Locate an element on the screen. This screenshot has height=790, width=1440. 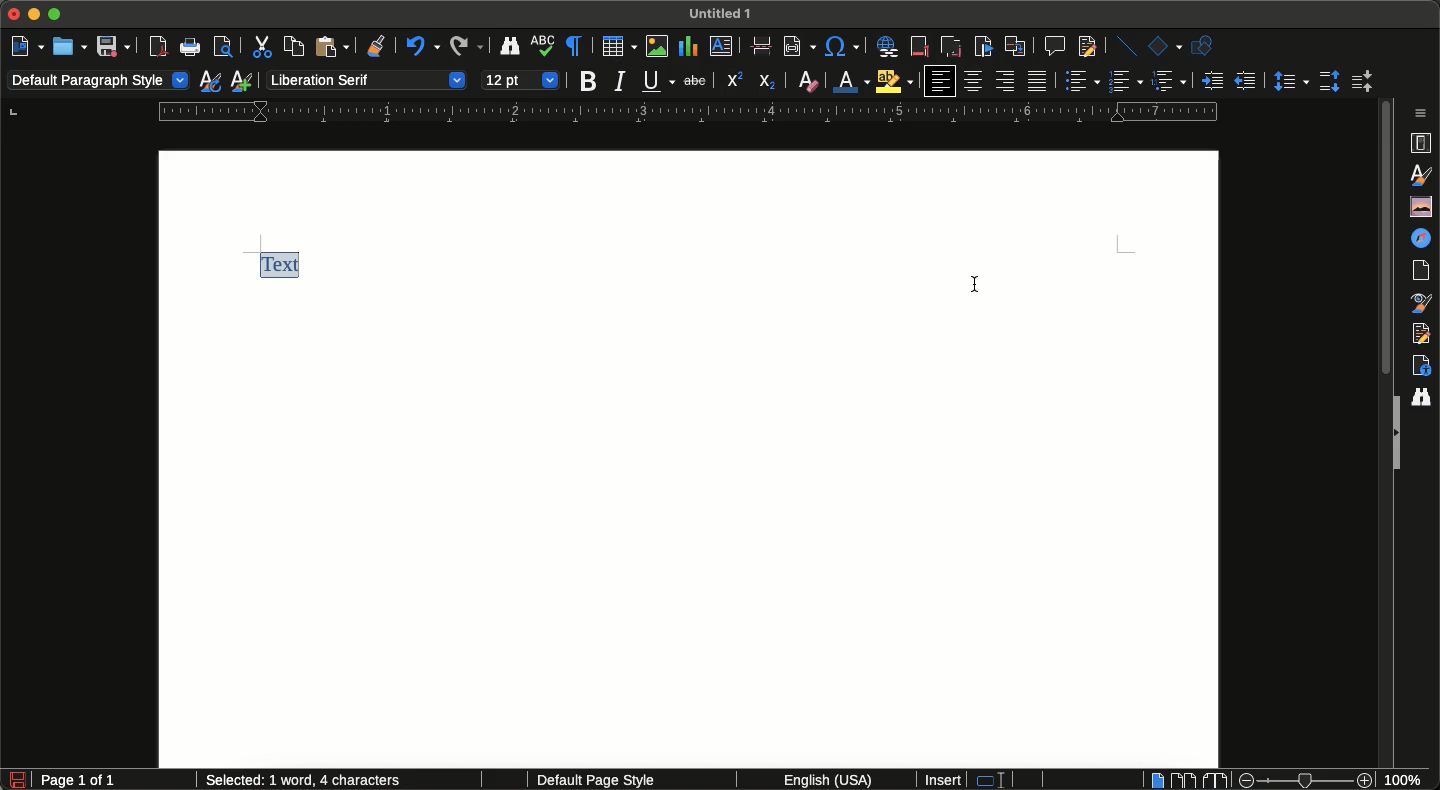
Strikethrough is located at coordinates (693, 82).